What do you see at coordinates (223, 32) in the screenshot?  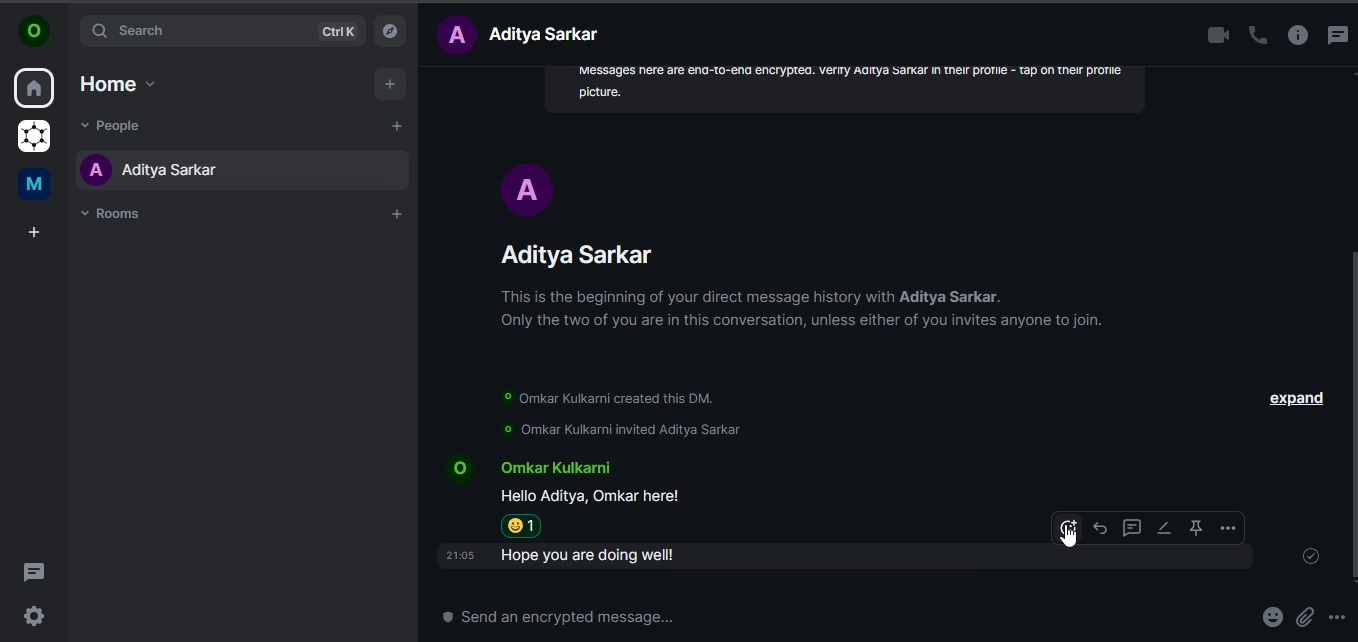 I see `search` at bounding box center [223, 32].